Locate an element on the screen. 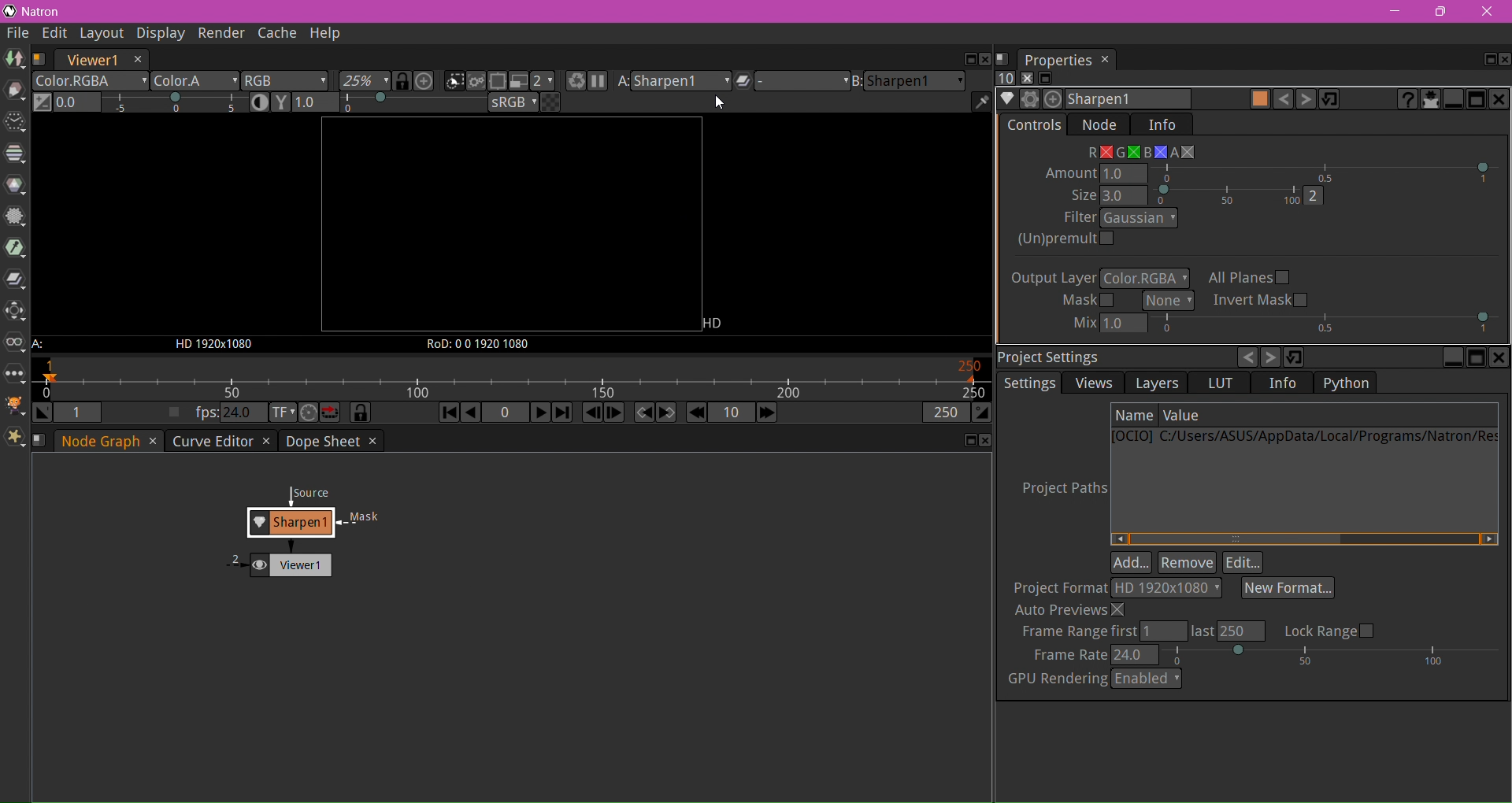 The width and height of the screenshot is (1512, 803). Auto-contrast is located at coordinates (261, 102).